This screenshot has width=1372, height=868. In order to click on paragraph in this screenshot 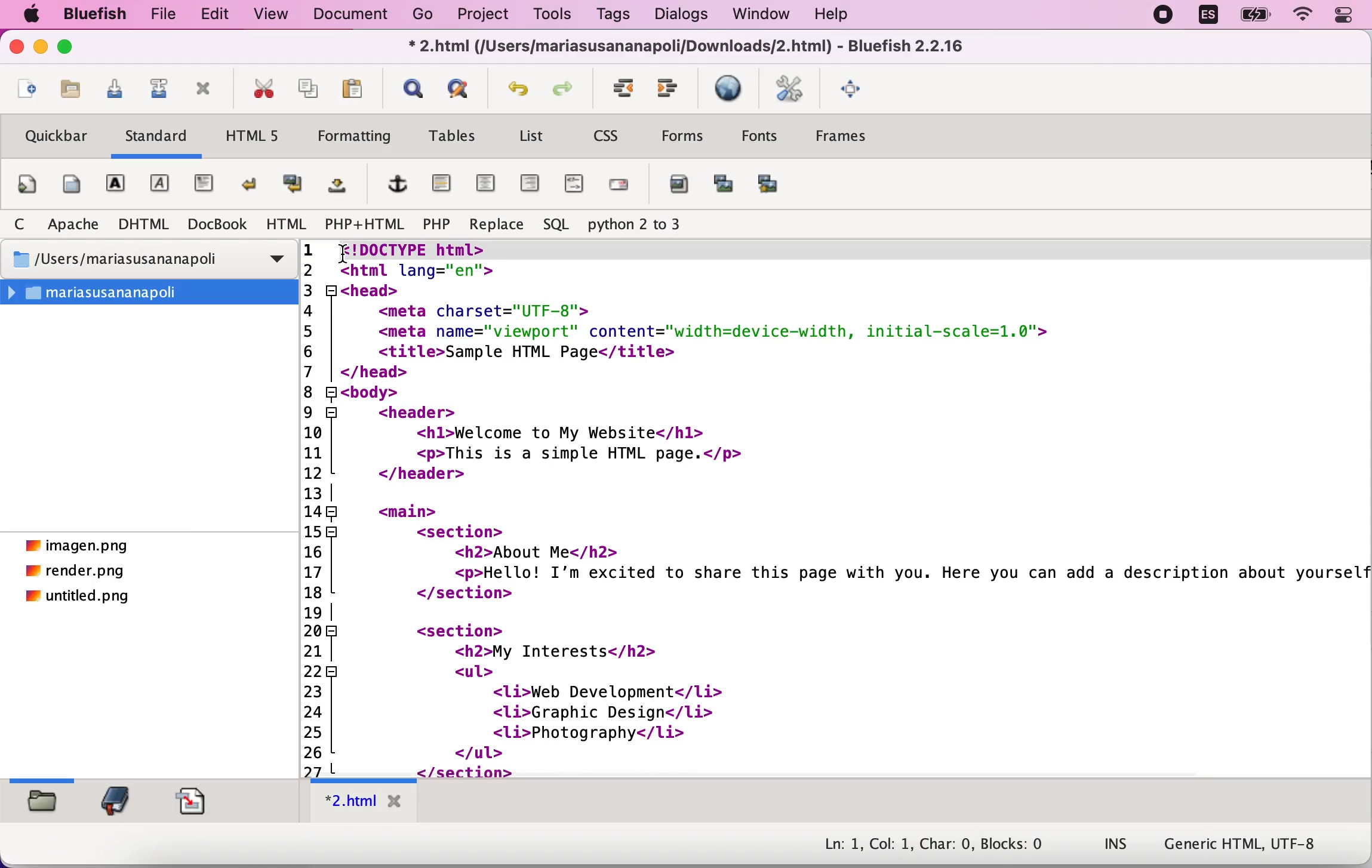, I will do `click(205, 186)`.